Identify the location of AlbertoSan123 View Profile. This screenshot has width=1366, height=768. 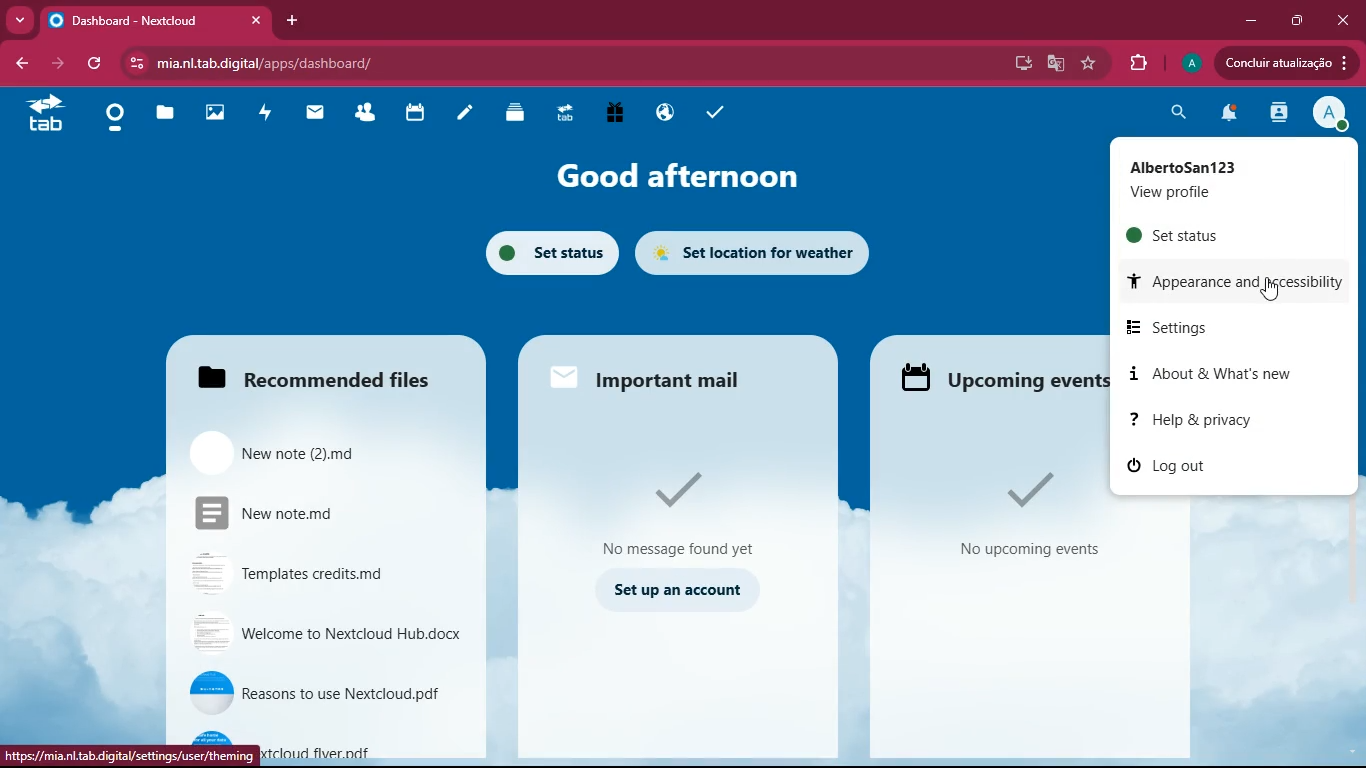
(1223, 179).